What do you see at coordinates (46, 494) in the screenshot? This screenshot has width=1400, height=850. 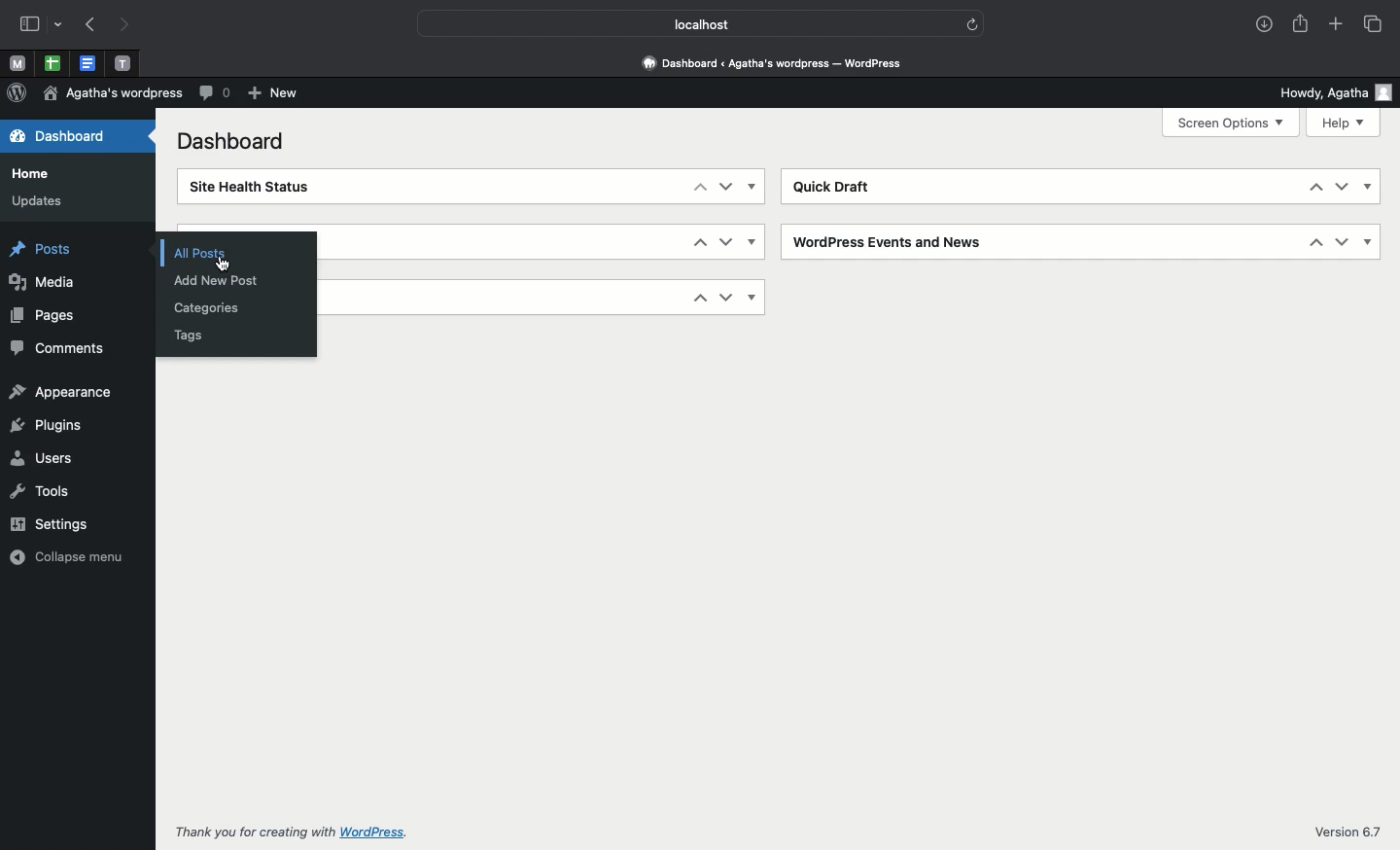 I see `Tools` at bounding box center [46, 494].